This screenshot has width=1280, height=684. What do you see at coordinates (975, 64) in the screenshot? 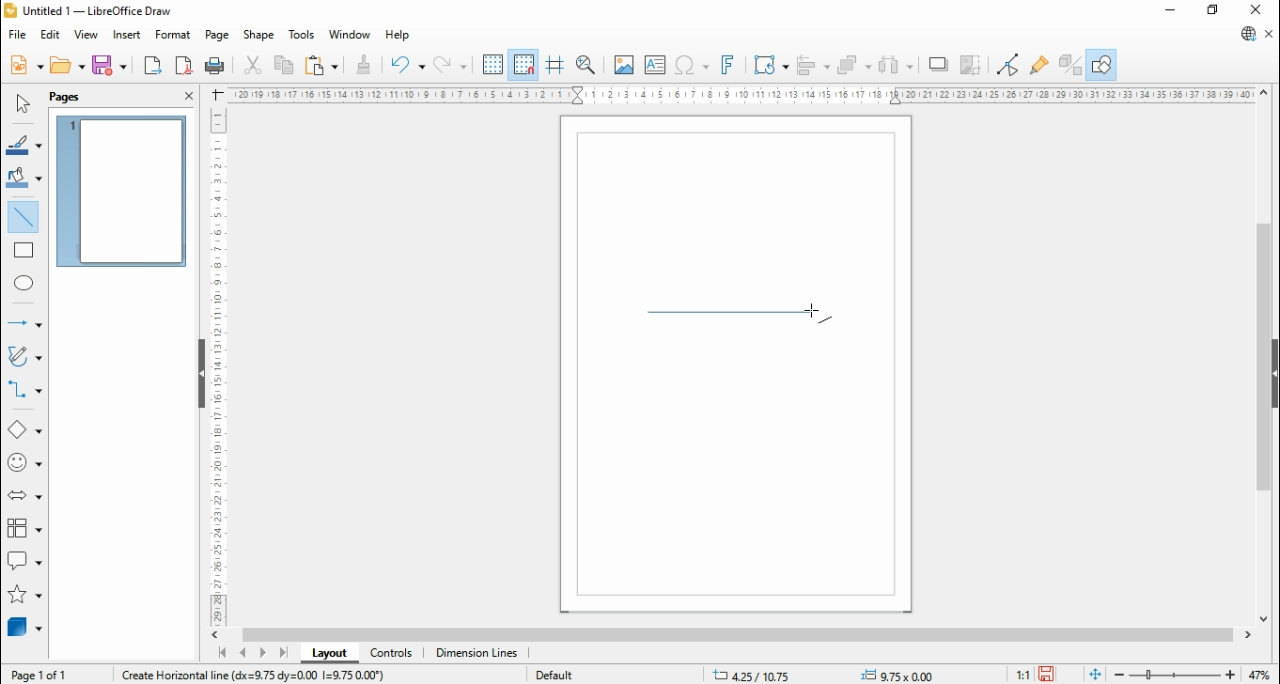
I see `crop` at bounding box center [975, 64].